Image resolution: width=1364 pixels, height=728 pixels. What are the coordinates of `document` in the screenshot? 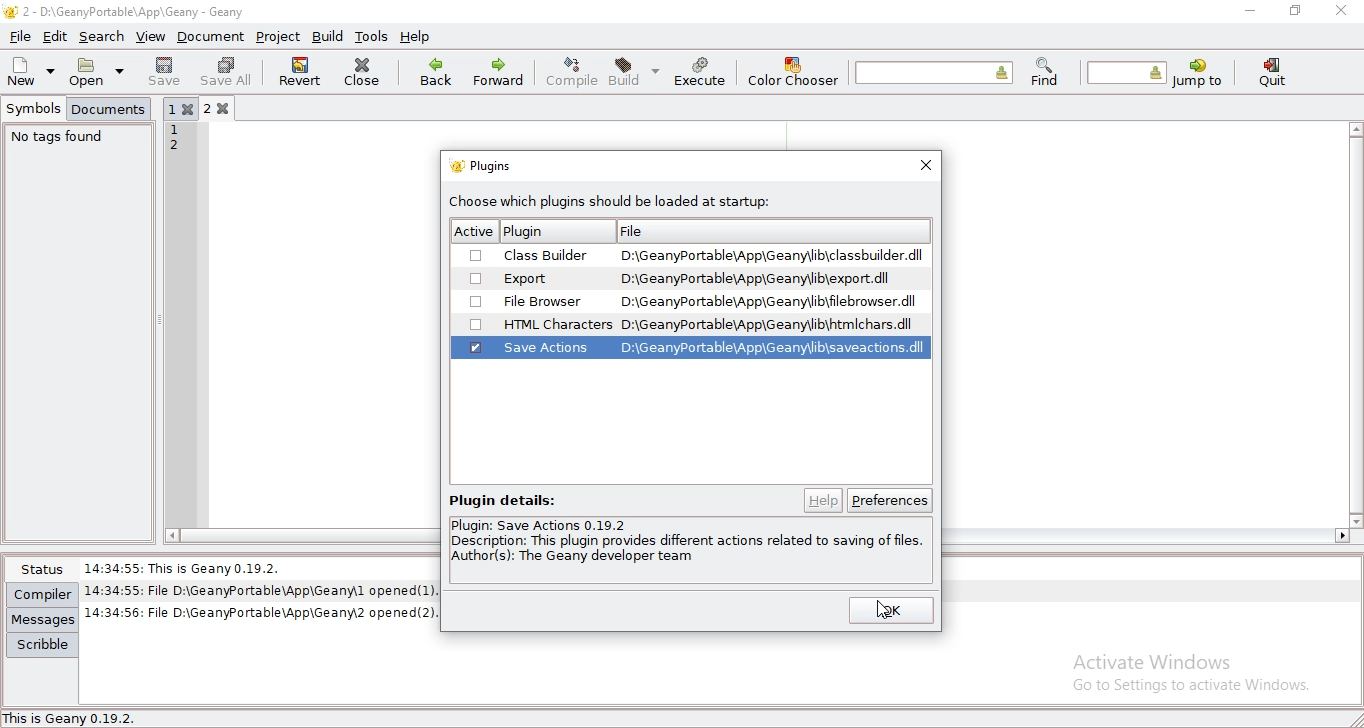 It's located at (211, 37).